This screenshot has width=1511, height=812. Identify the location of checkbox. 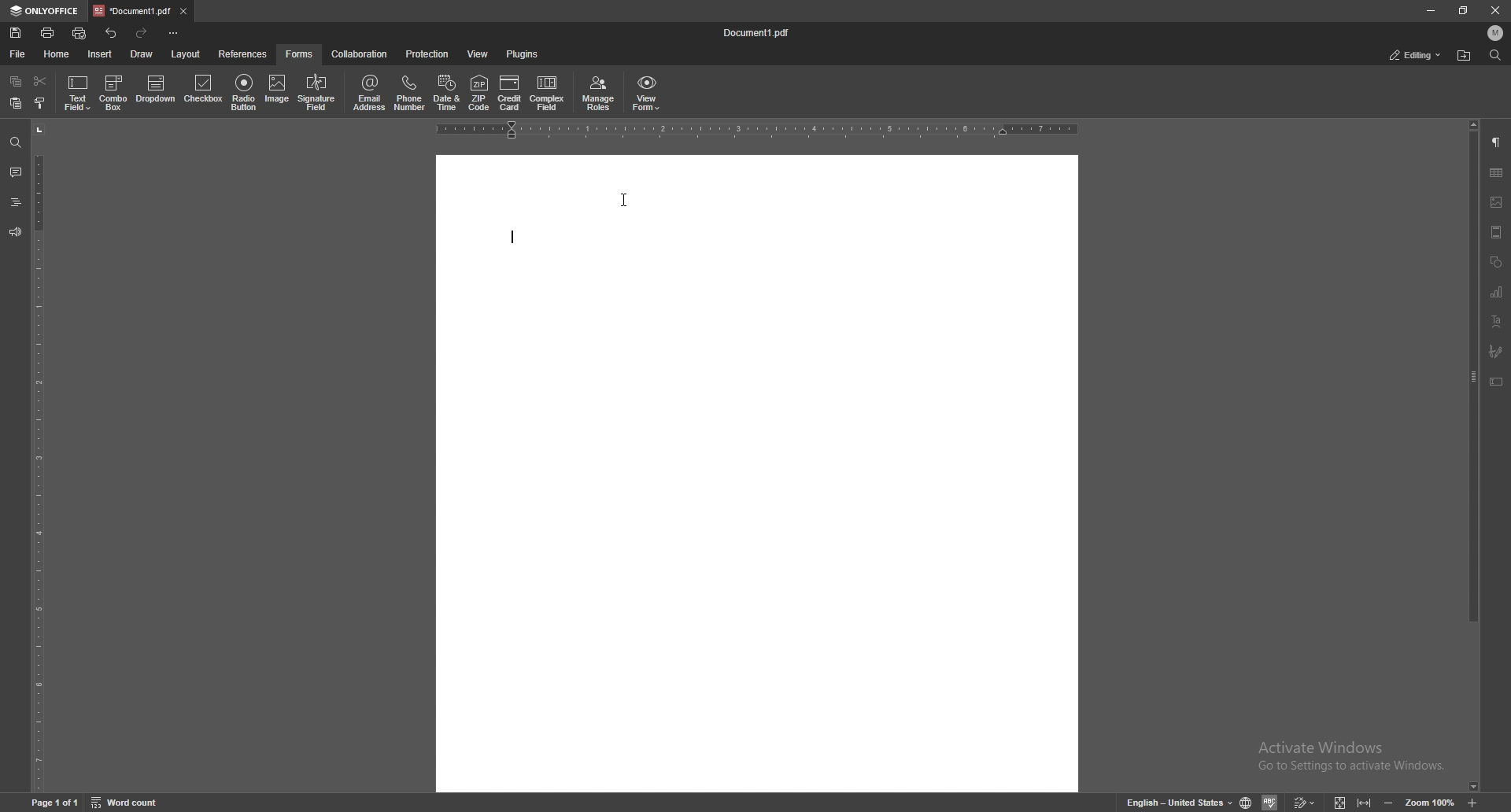
(203, 91).